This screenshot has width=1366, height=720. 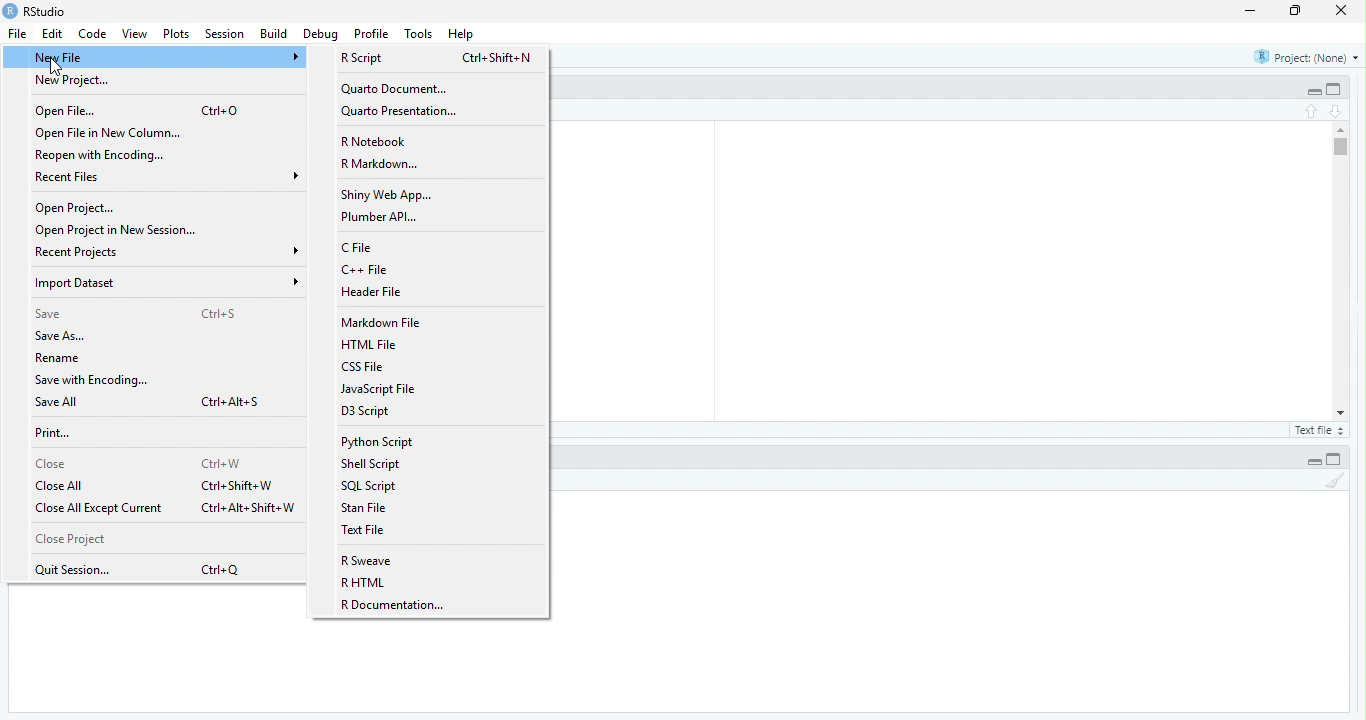 I want to click on cursor, so click(x=53, y=66).